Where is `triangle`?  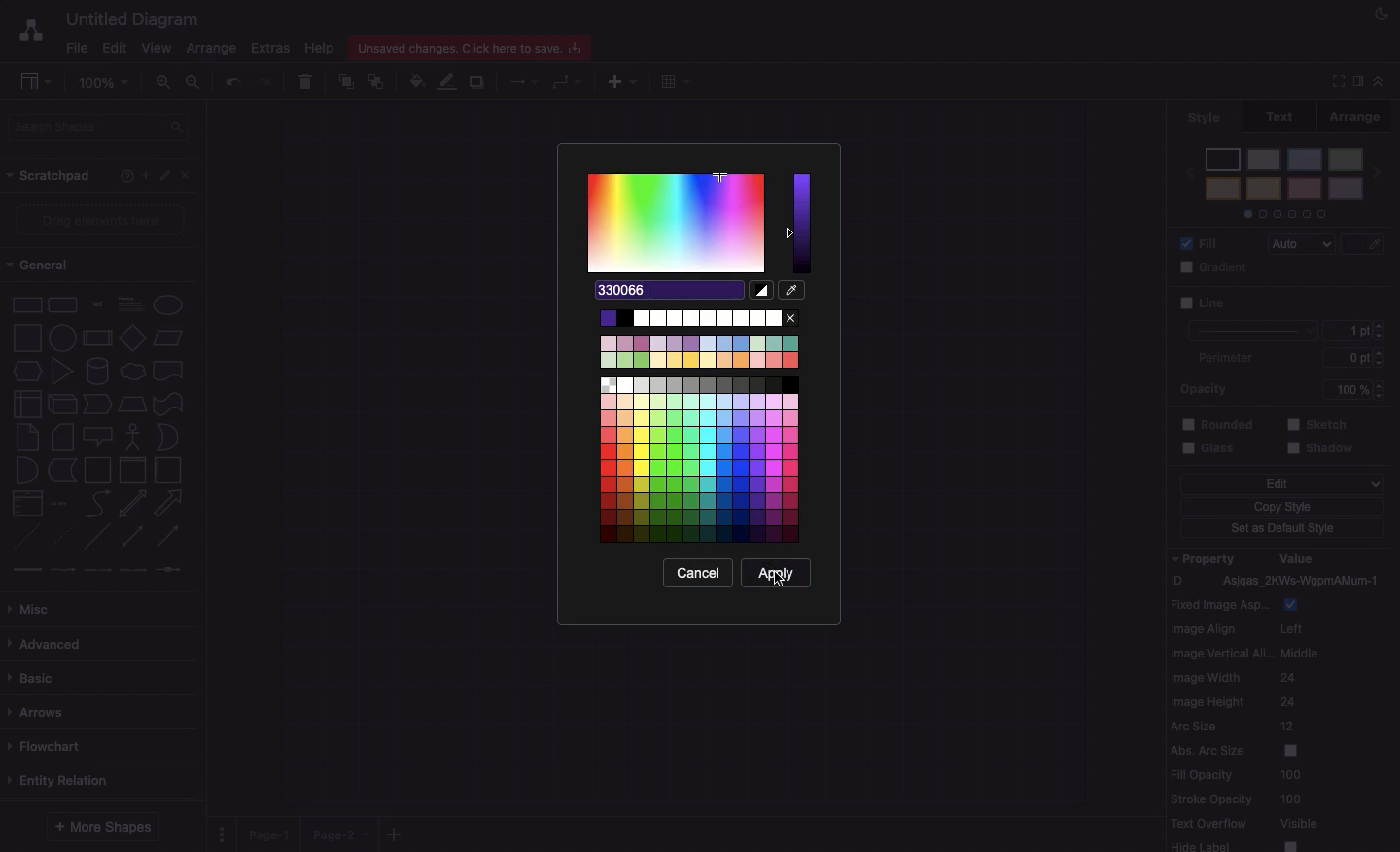
triangle is located at coordinates (61, 372).